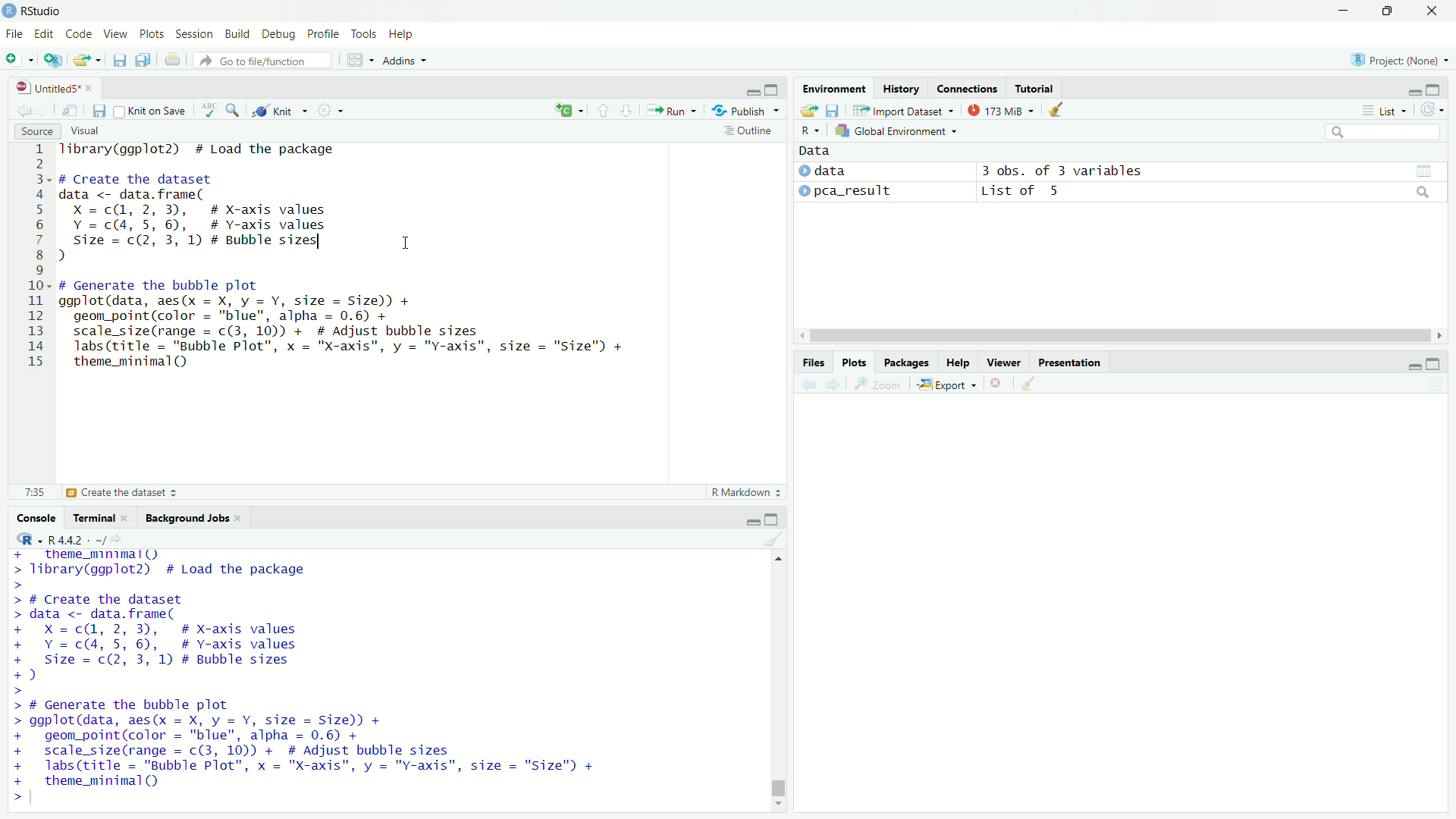 The height and width of the screenshot is (819, 1456). I want to click on previous plot, so click(807, 384).